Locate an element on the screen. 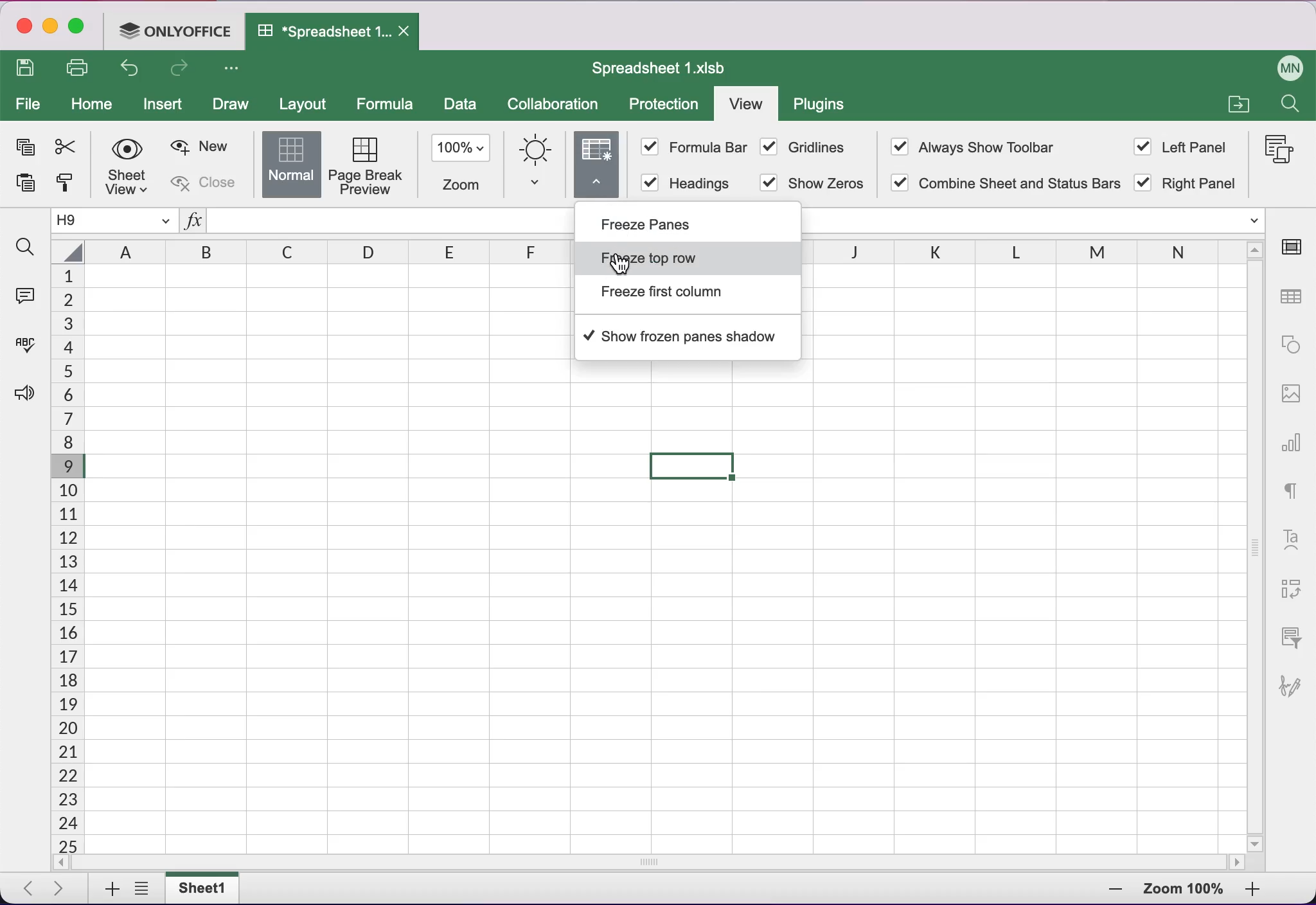 The height and width of the screenshot is (905, 1316). chart is located at coordinates (1292, 447).